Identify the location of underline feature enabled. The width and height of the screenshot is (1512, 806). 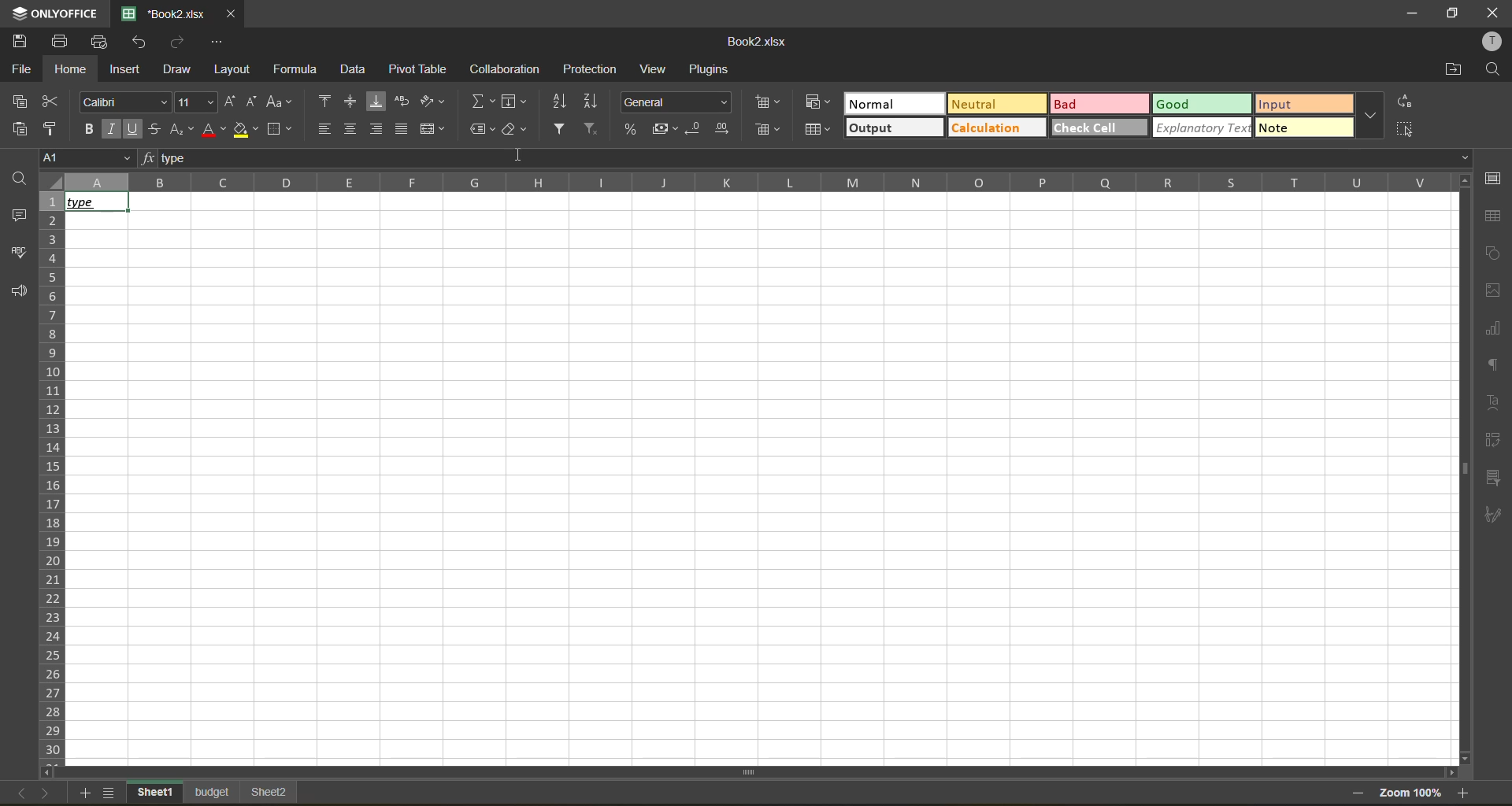
(132, 128).